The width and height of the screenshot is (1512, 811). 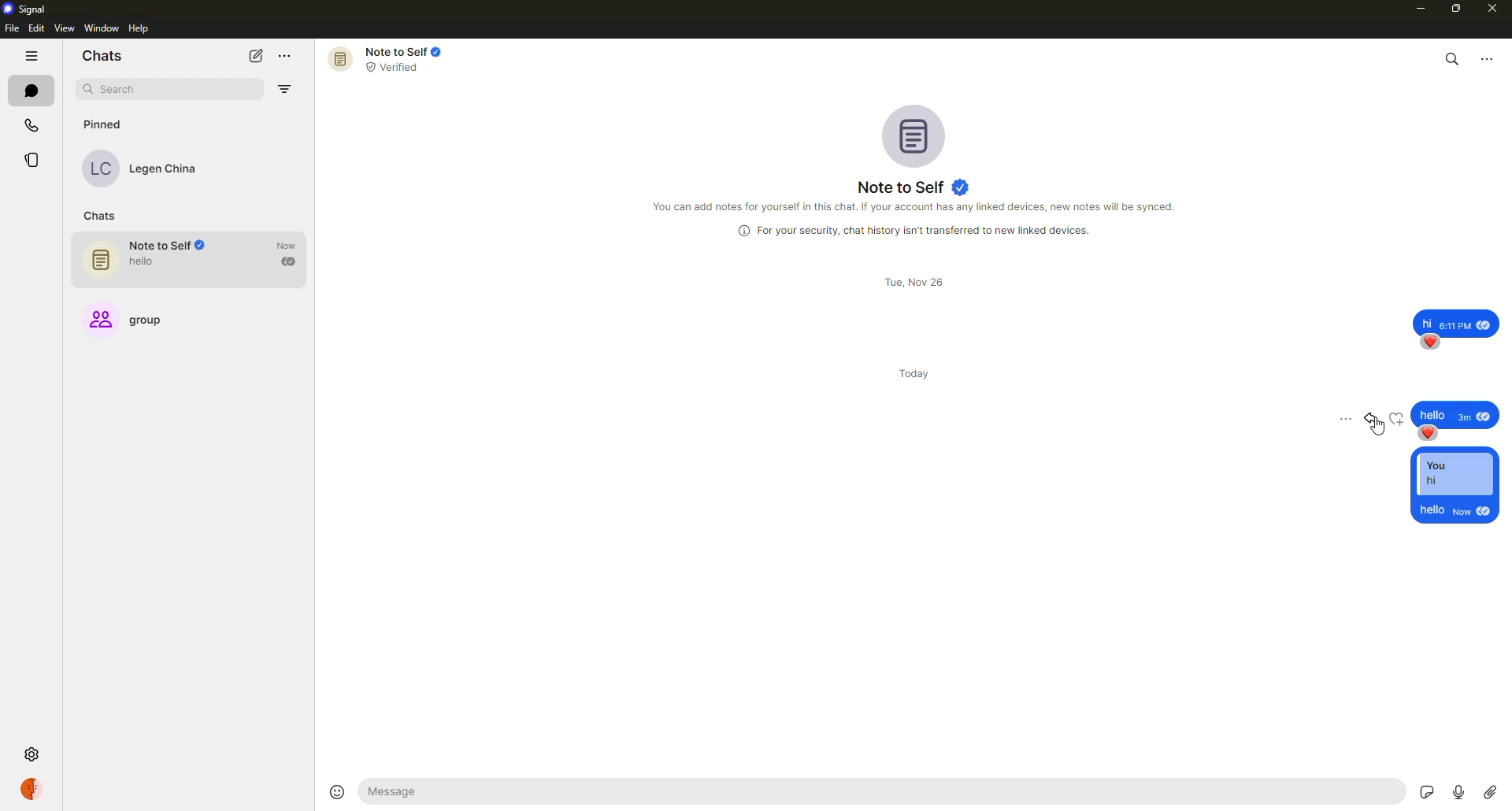 I want to click on emoji, so click(x=337, y=791).